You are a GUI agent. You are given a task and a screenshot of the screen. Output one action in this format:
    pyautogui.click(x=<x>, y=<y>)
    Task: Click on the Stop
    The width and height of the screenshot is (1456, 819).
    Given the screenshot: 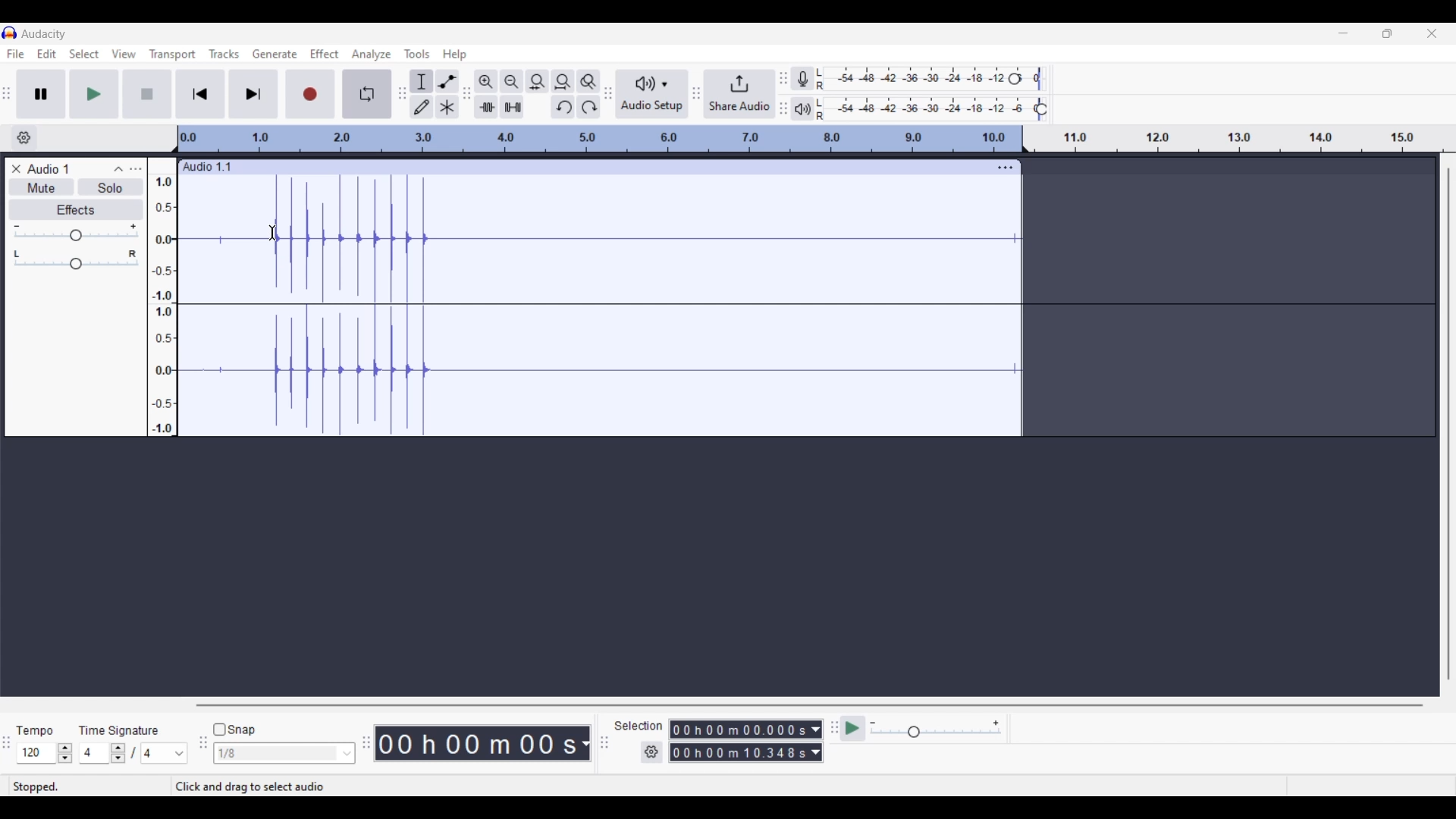 What is the action you would take?
    pyautogui.click(x=148, y=94)
    